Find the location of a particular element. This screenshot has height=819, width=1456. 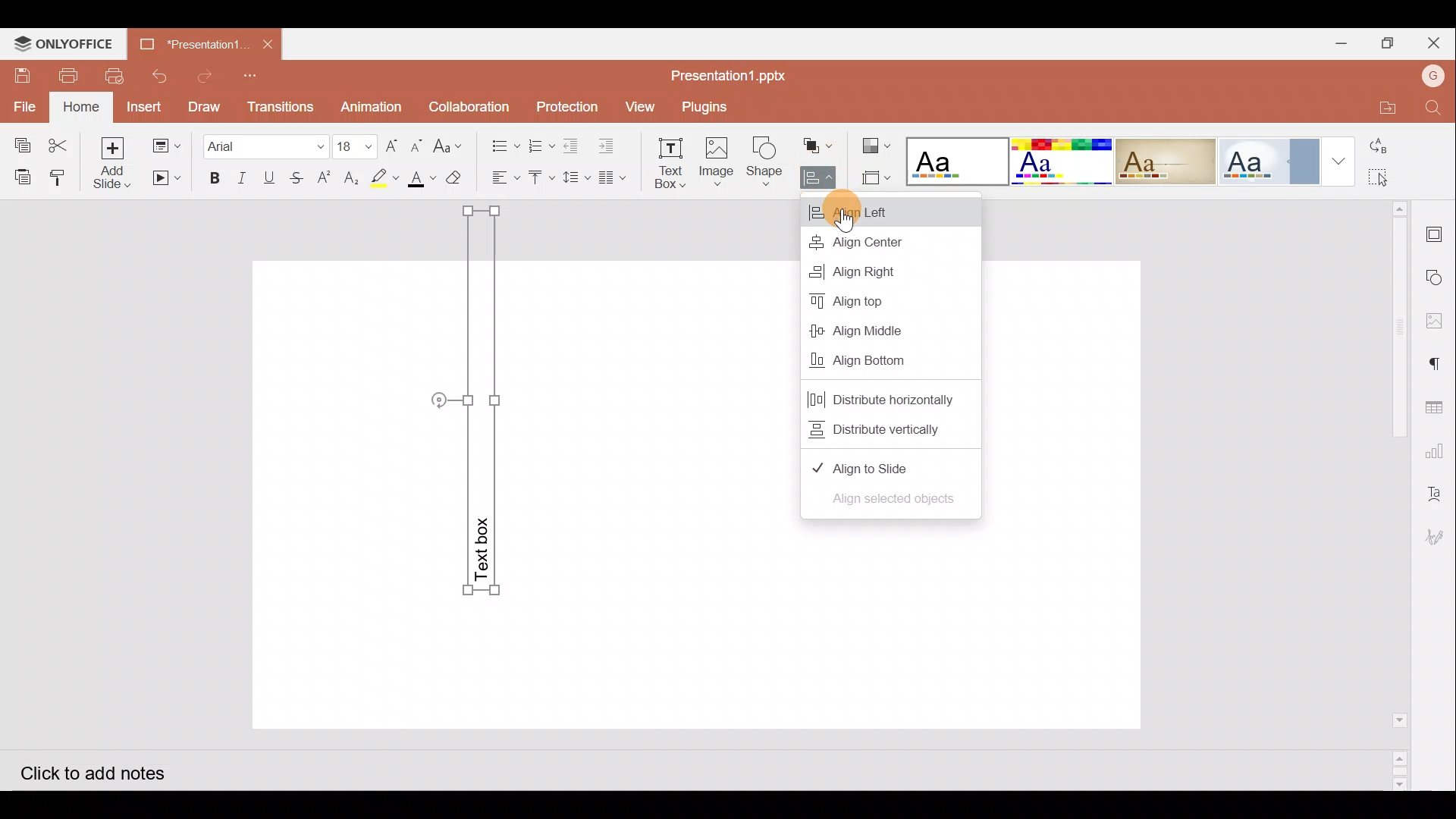

Subscript is located at coordinates (352, 180).